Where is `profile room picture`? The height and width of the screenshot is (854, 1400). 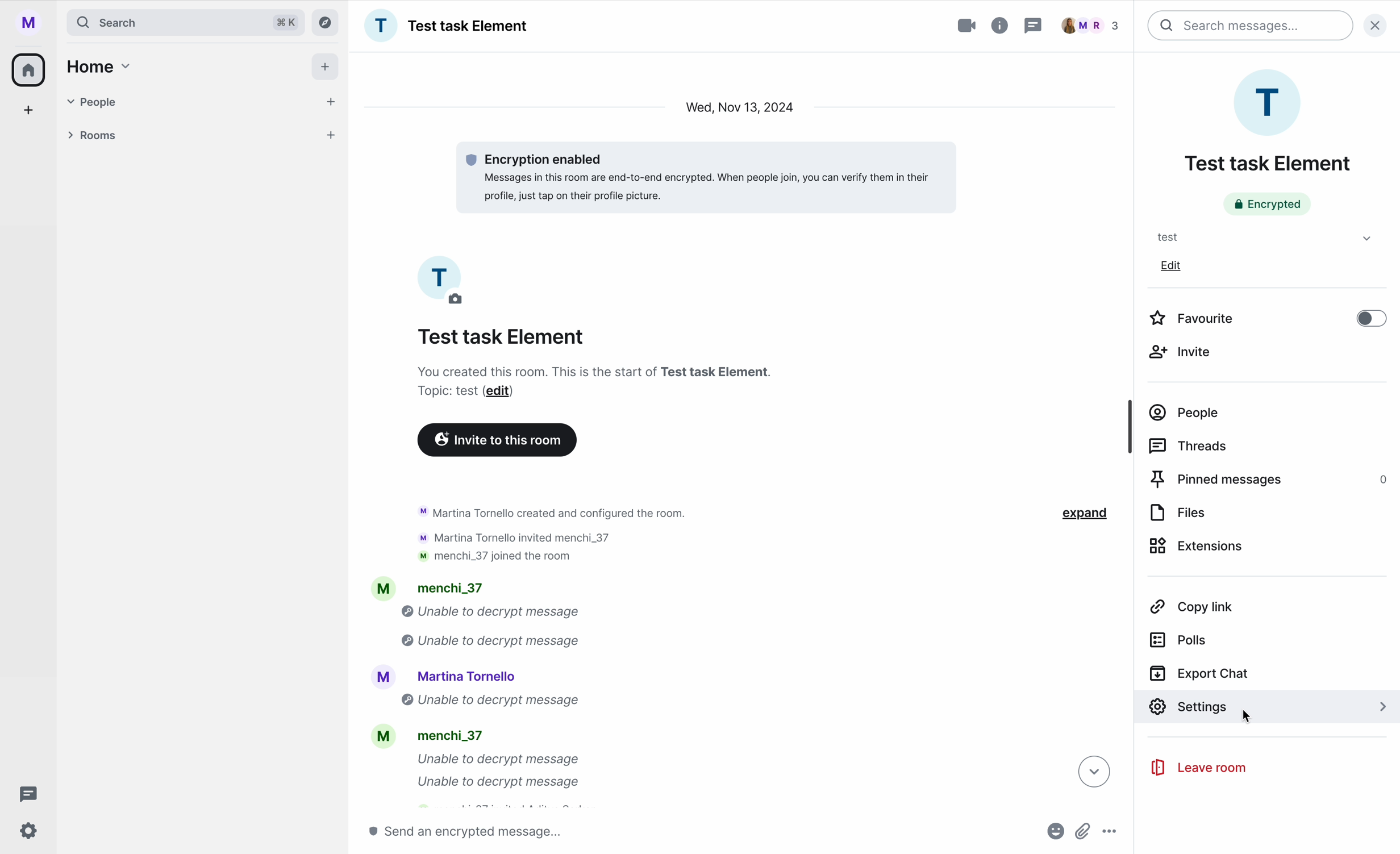
profile room picture is located at coordinates (1270, 102).